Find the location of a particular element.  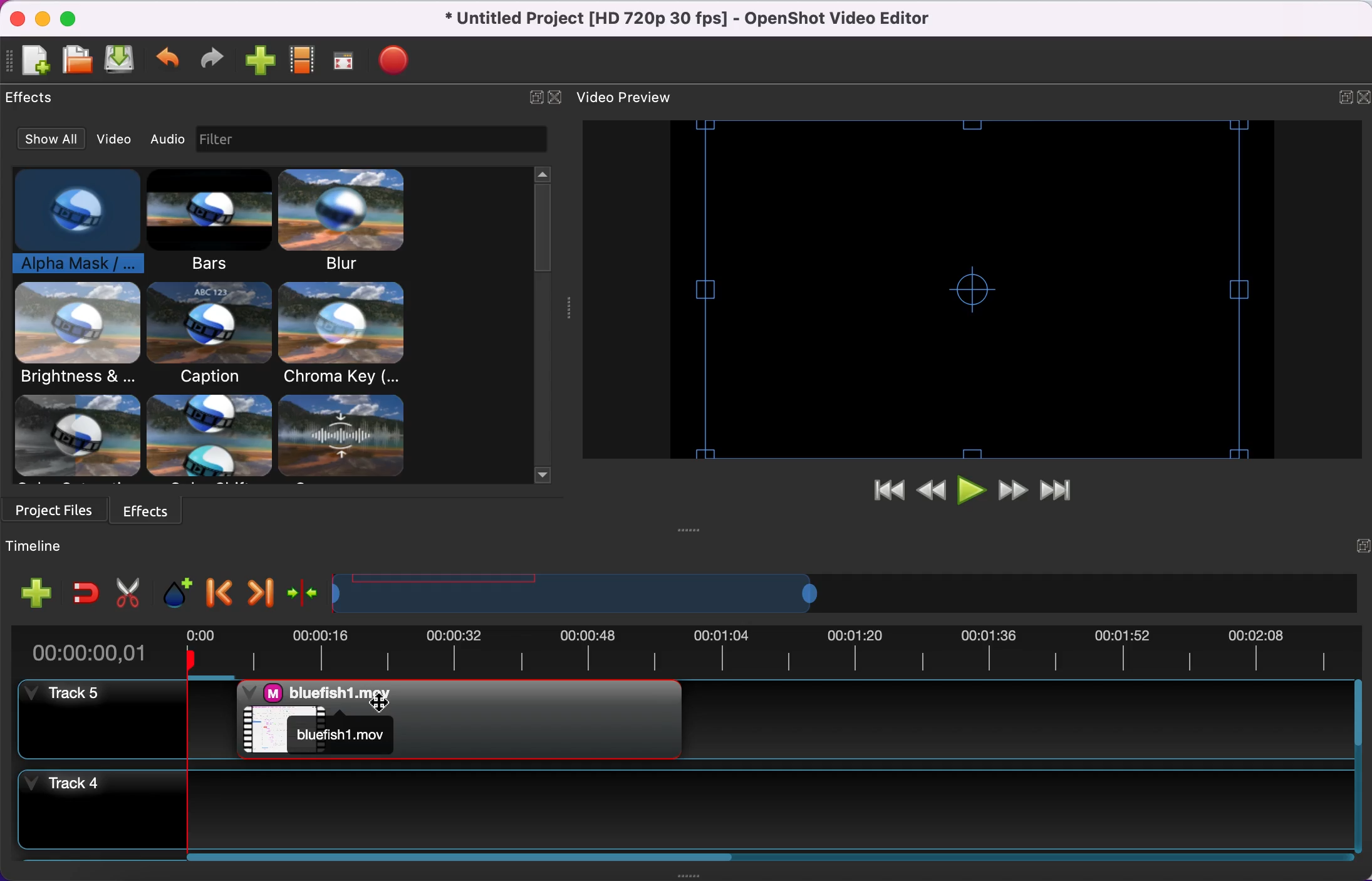

close is located at coordinates (14, 19).